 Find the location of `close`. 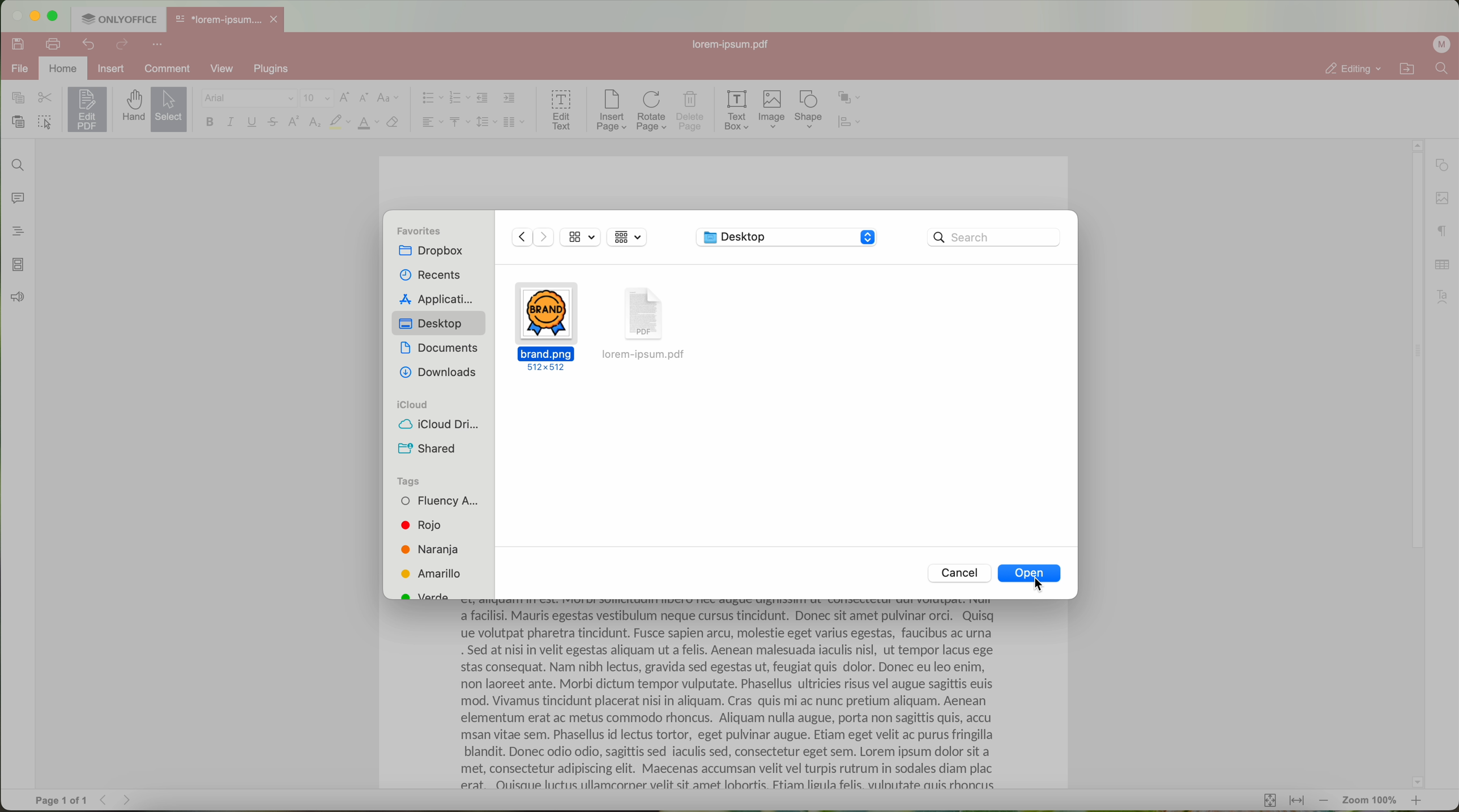

close is located at coordinates (276, 19).